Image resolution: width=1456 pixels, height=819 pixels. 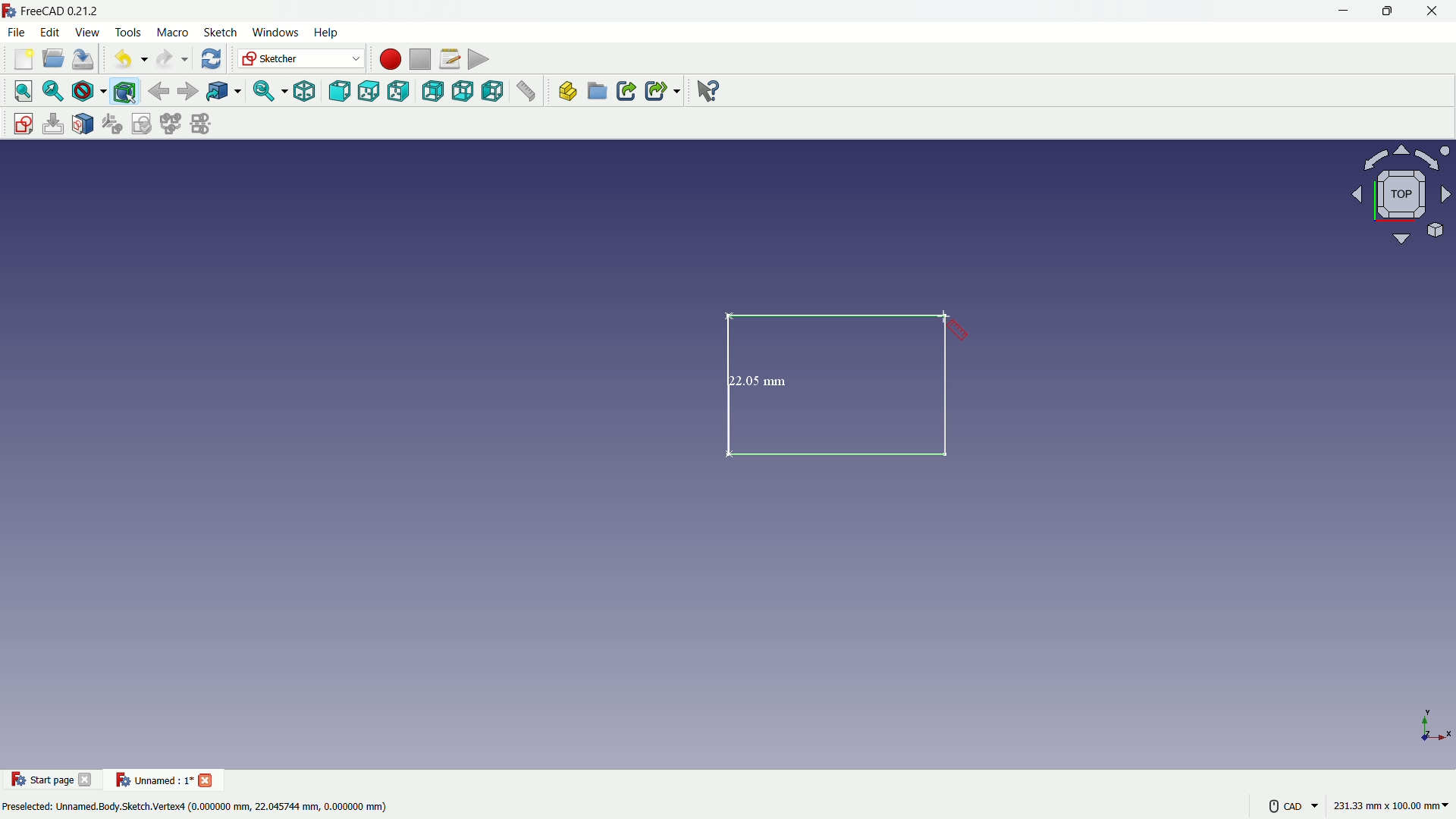 What do you see at coordinates (127, 91) in the screenshot?
I see `bounding box` at bounding box center [127, 91].